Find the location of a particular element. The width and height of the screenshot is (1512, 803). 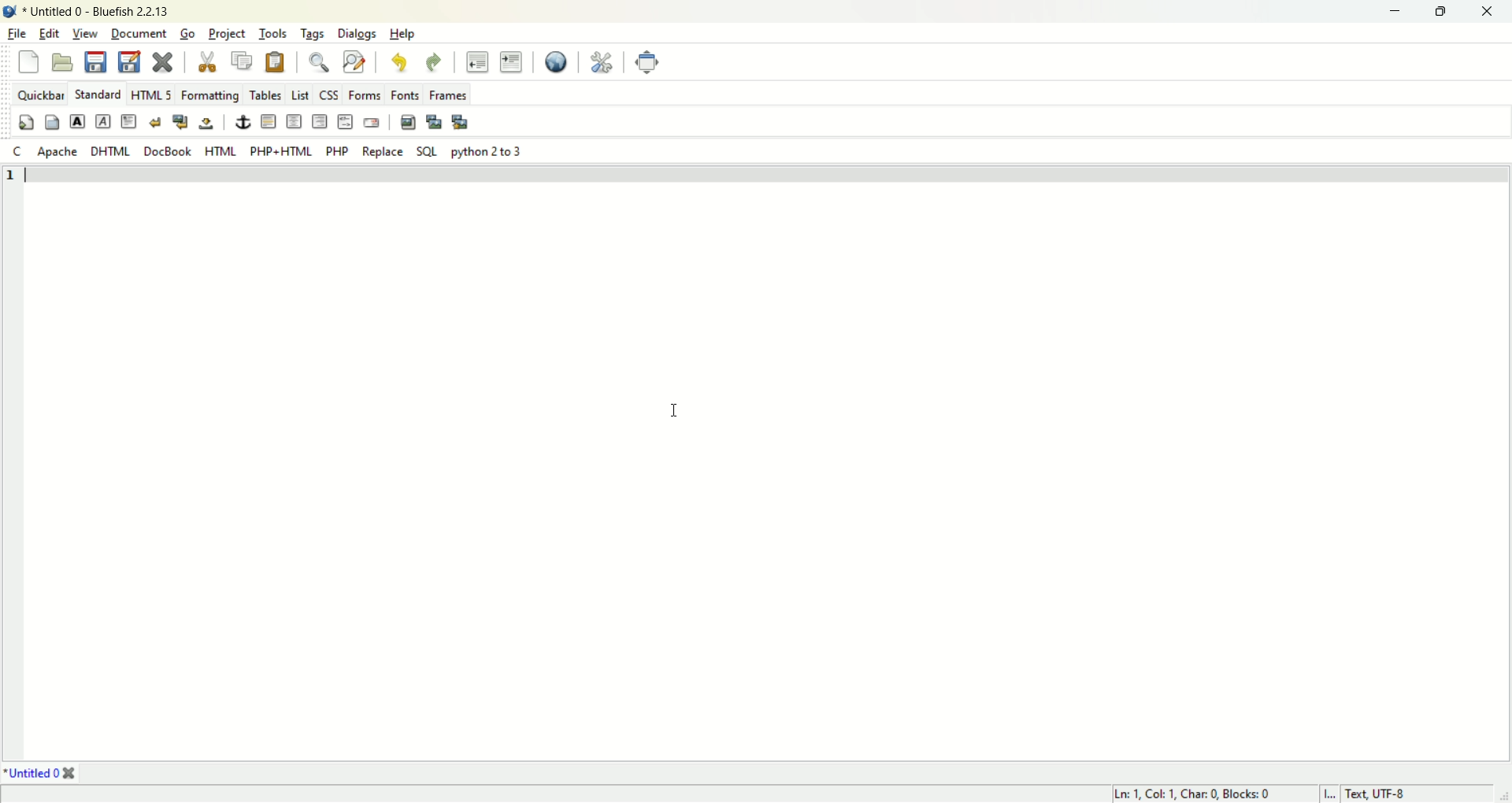

help is located at coordinates (403, 34).